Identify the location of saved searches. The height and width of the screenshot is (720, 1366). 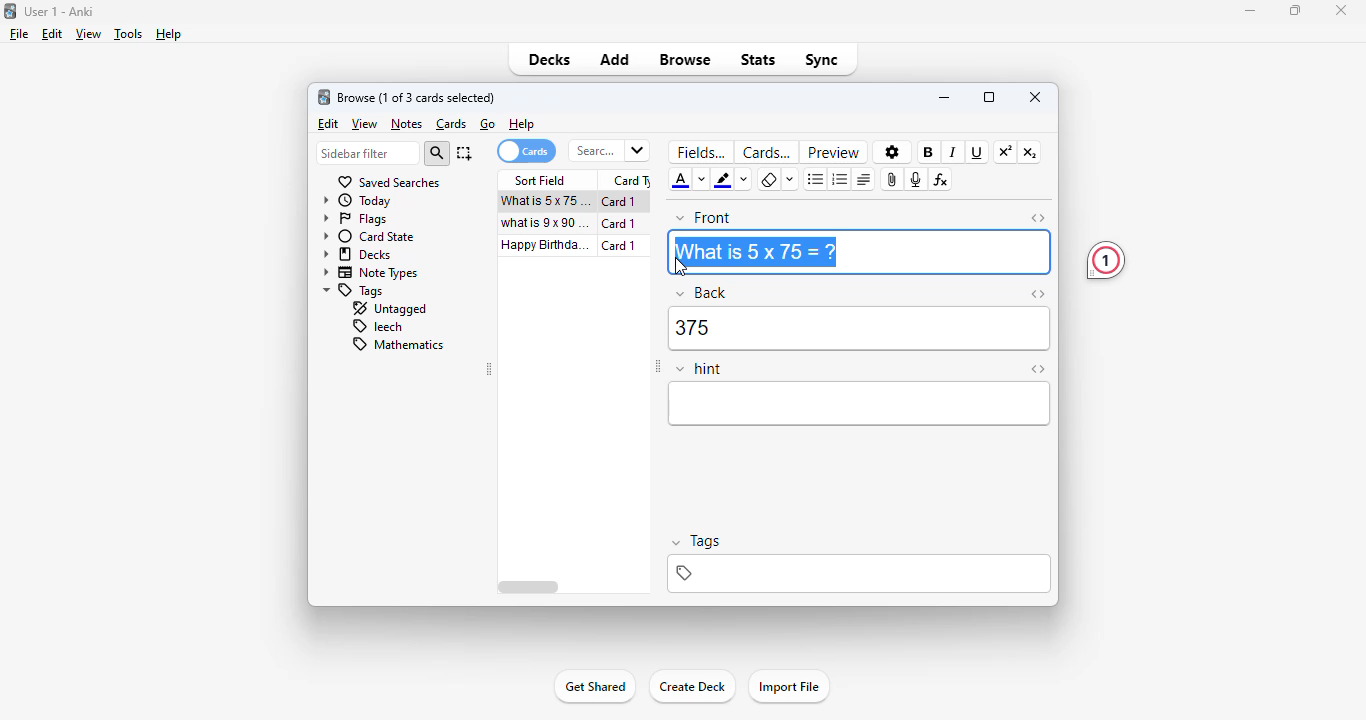
(390, 182).